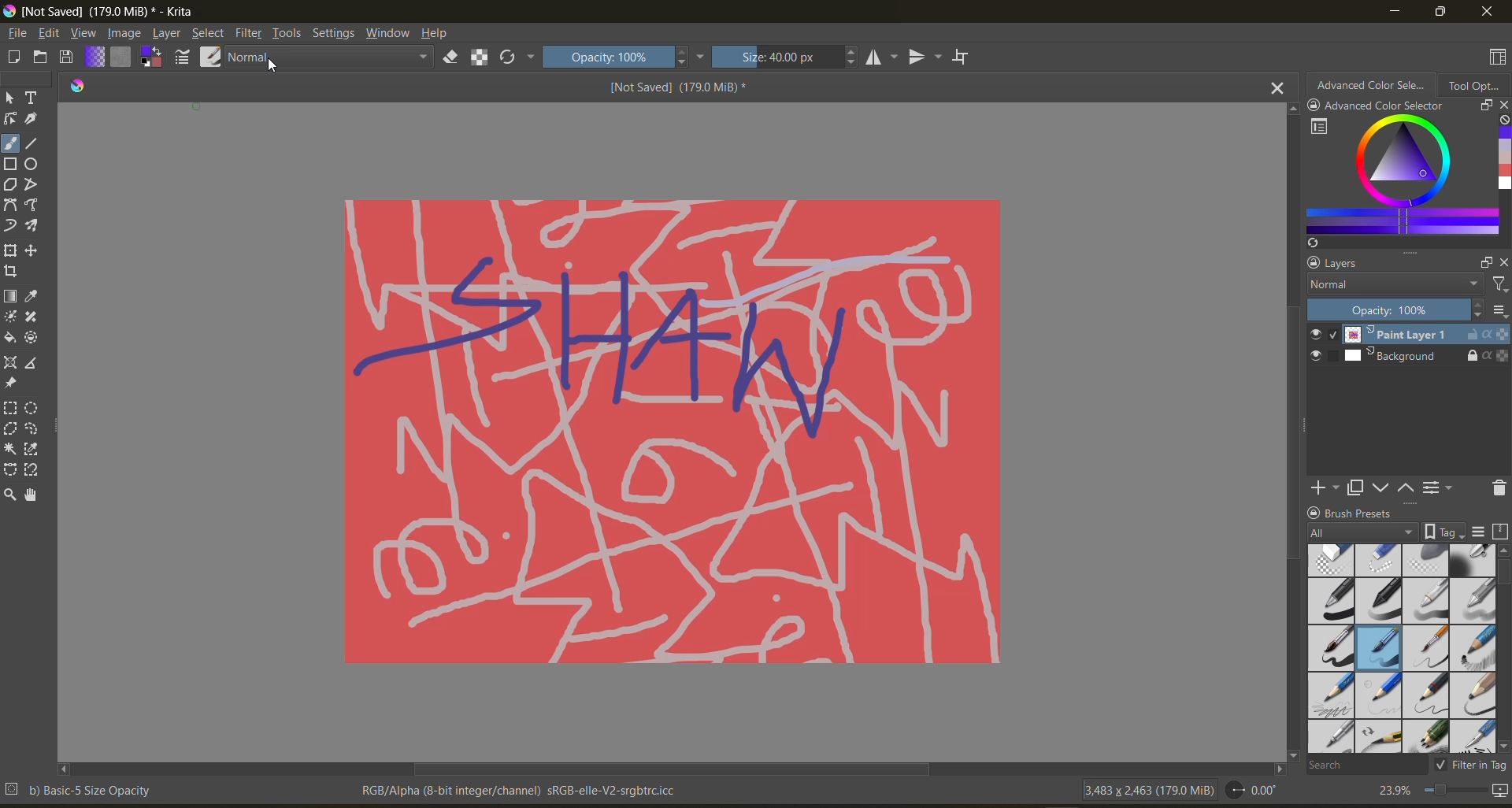 This screenshot has height=808, width=1512. What do you see at coordinates (1503, 578) in the screenshot?
I see `vertical scroll bar` at bounding box center [1503, 578].